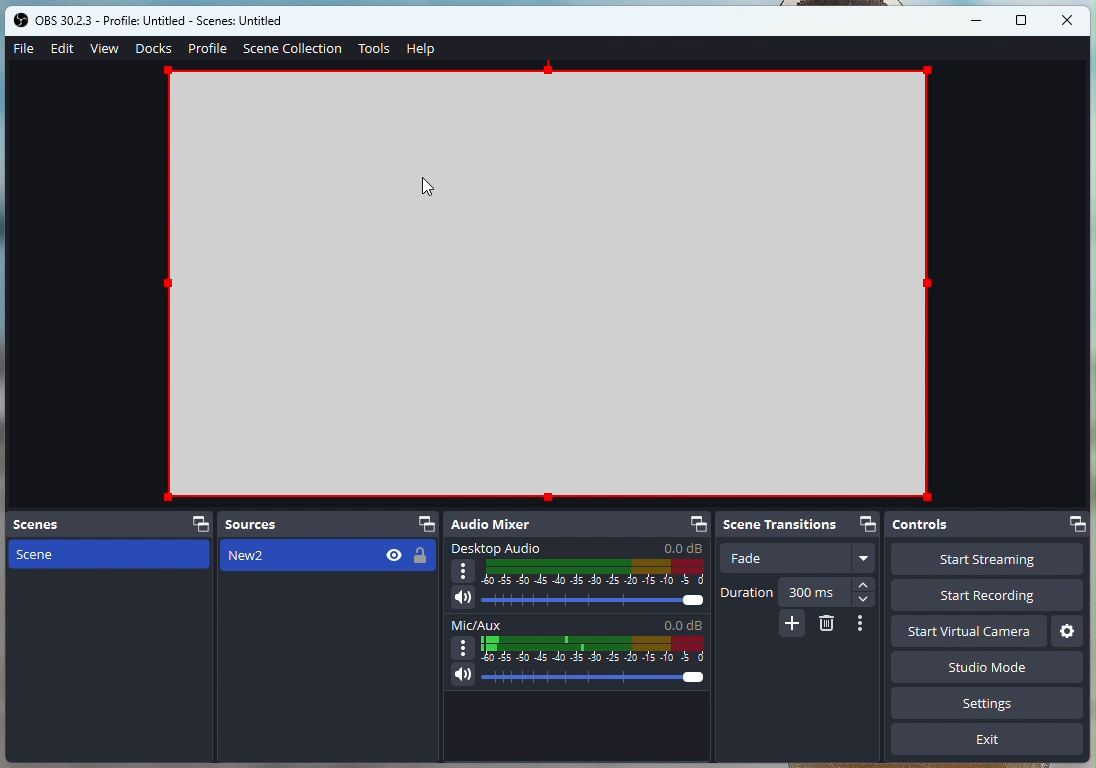 The height and width of the screenshot is (768, 1096). I want to click on SceneCollection, so click(294, 47).